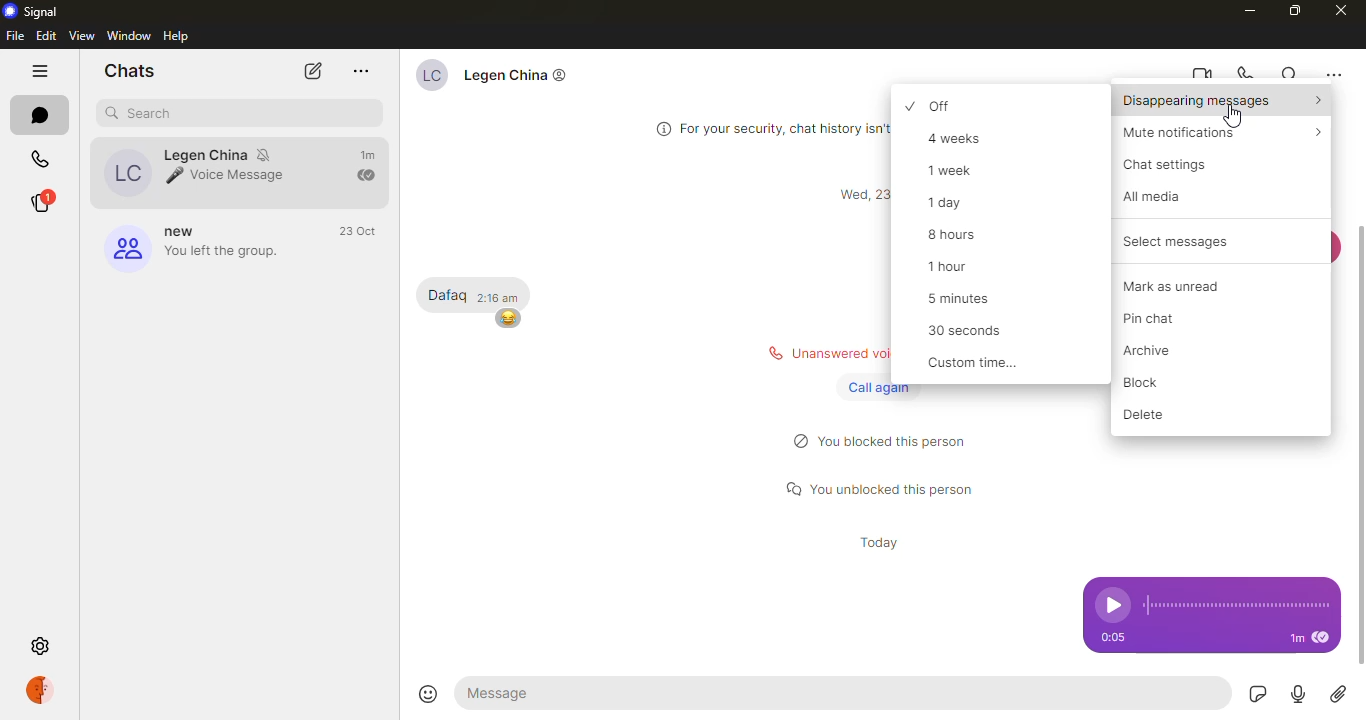  I want to click on message, so click(551, 692).